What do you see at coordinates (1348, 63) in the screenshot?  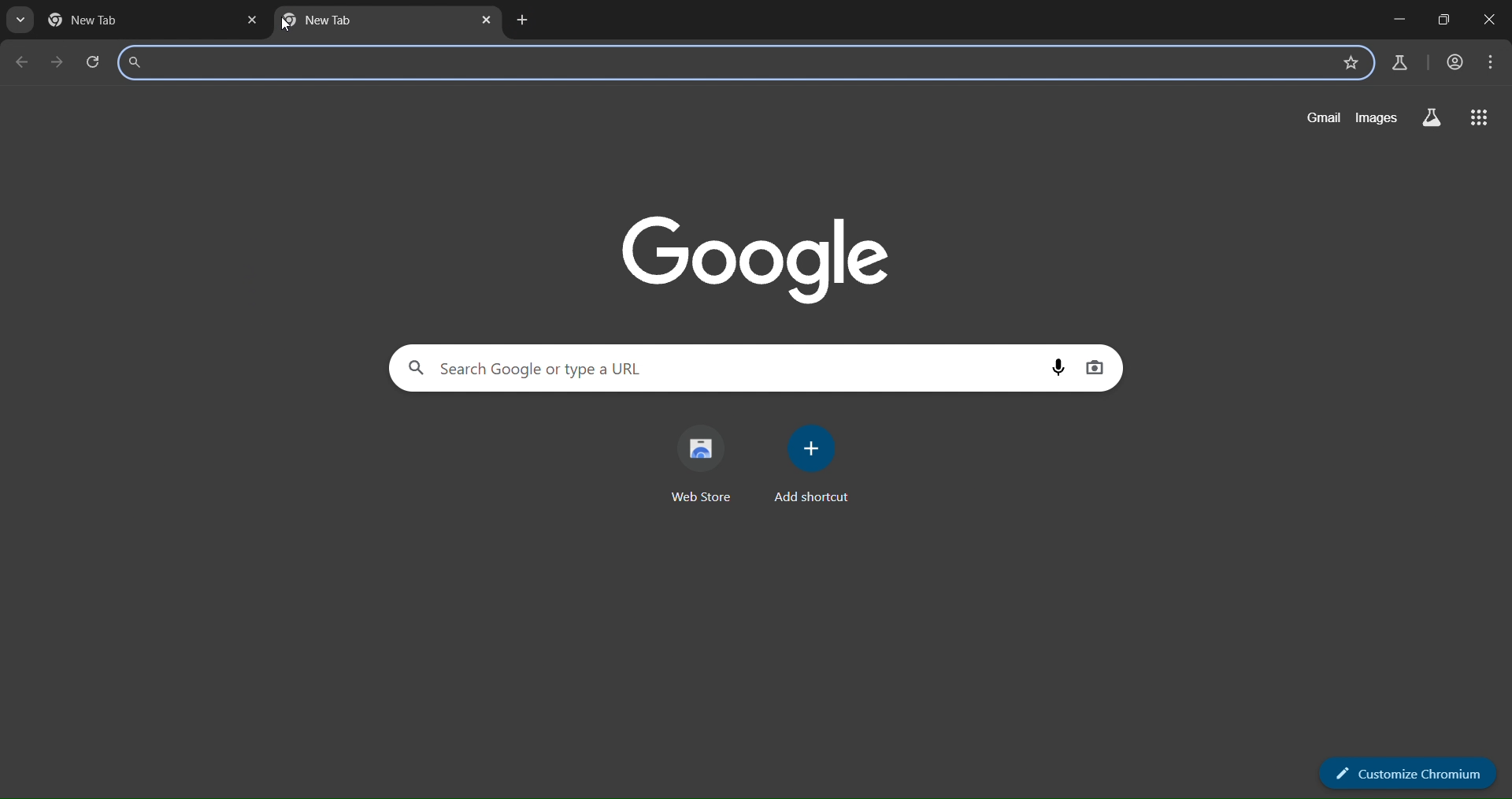 I see `bookmark page` at bounding box center [1348, 63].